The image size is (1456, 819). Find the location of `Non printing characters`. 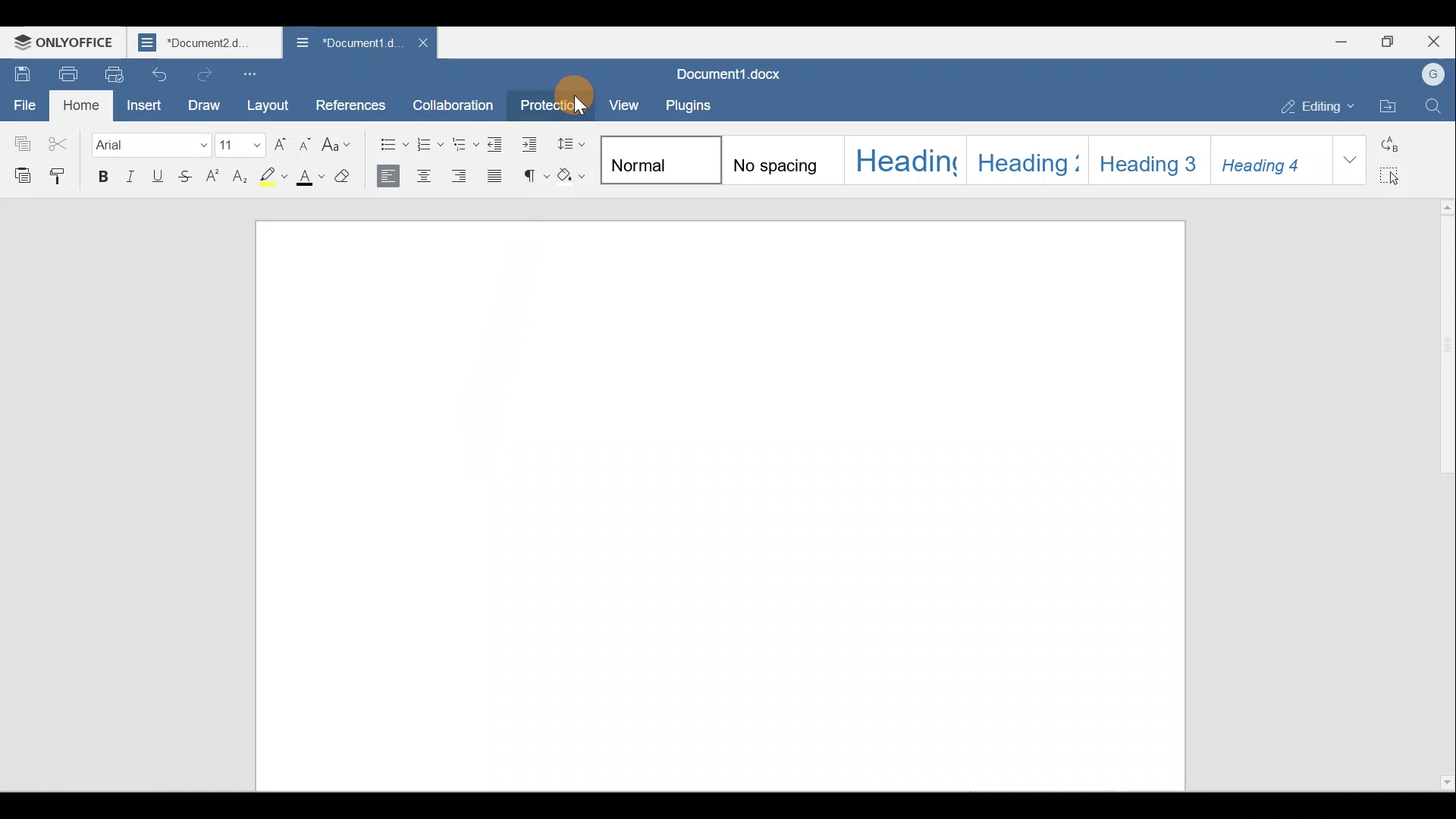

Non printing characters is located at coordinates (531, 175).